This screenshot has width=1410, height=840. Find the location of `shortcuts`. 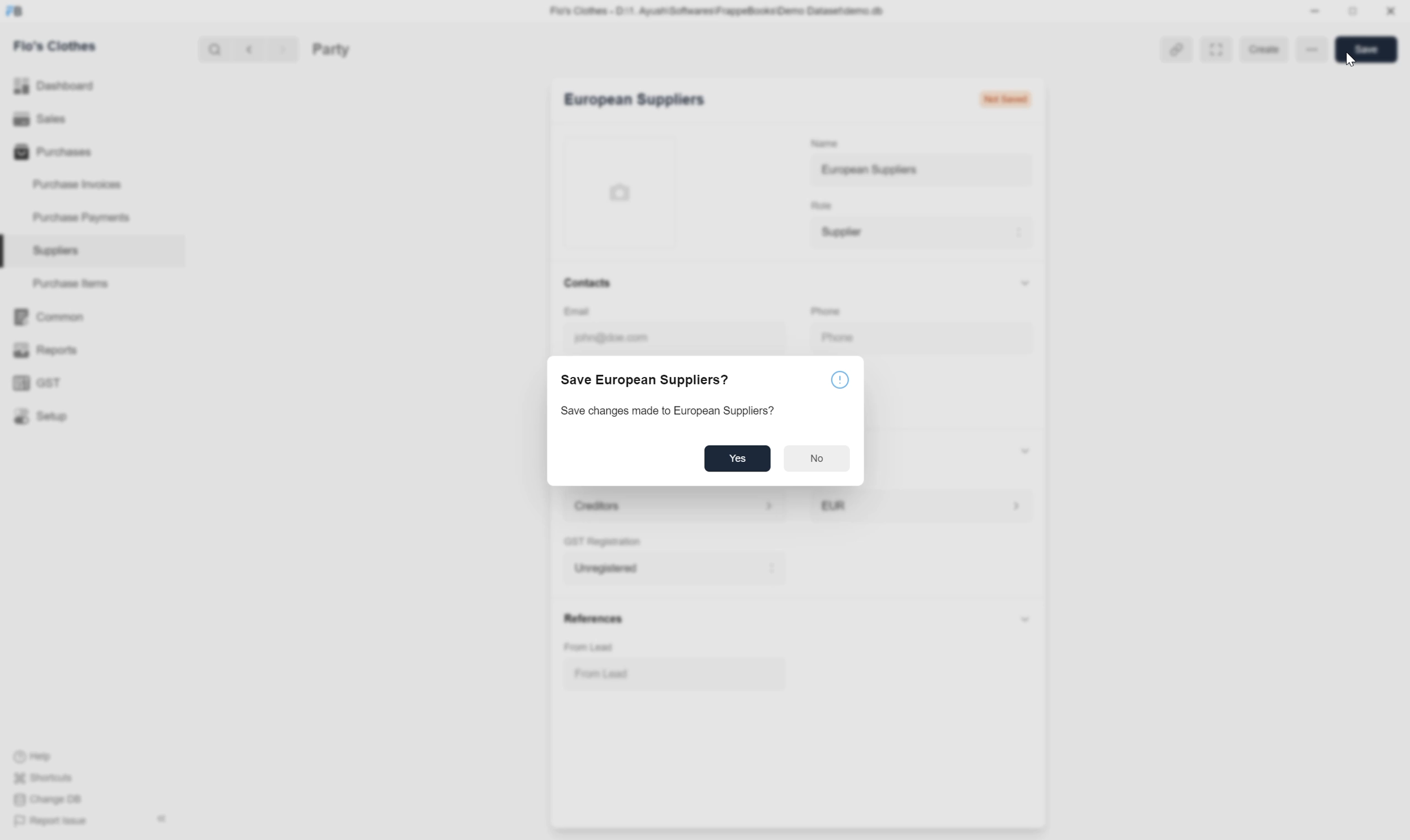

shortcuts is located at coordinates (42, 779).